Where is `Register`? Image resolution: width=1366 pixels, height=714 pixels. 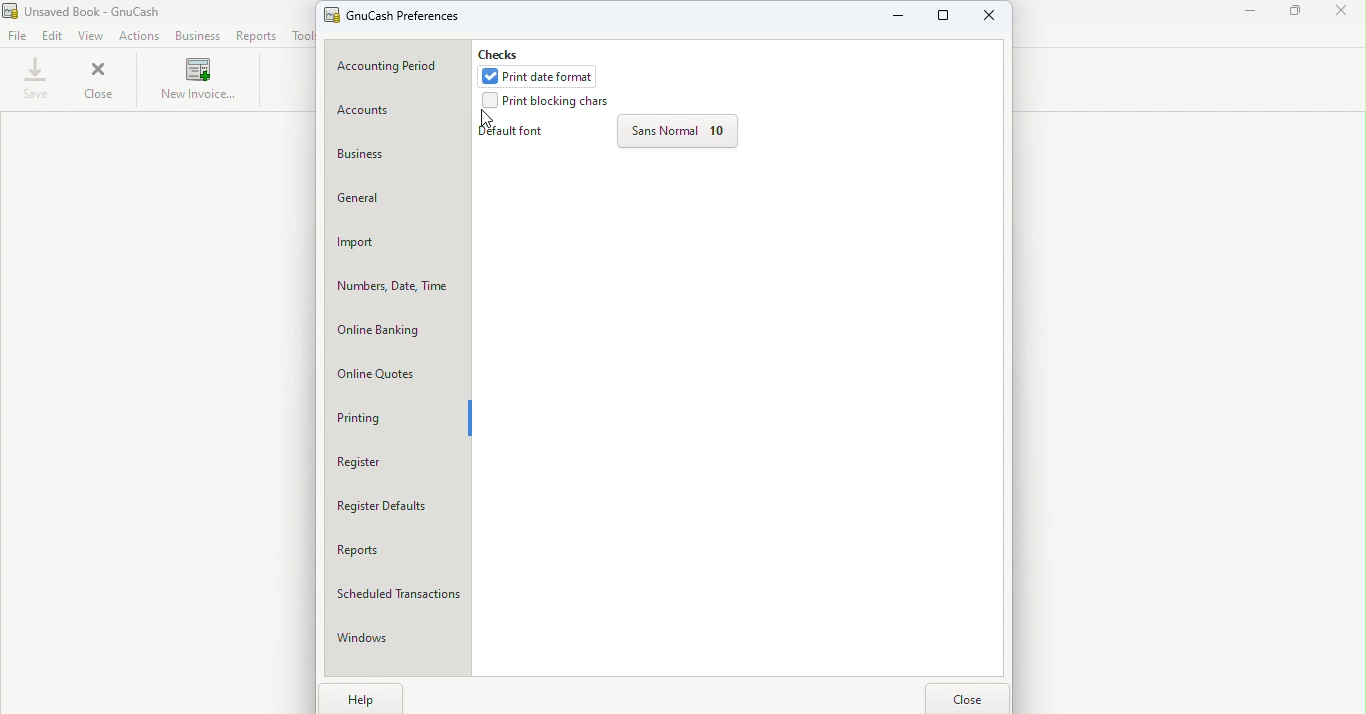 Register is located at coordinates (400, 463).